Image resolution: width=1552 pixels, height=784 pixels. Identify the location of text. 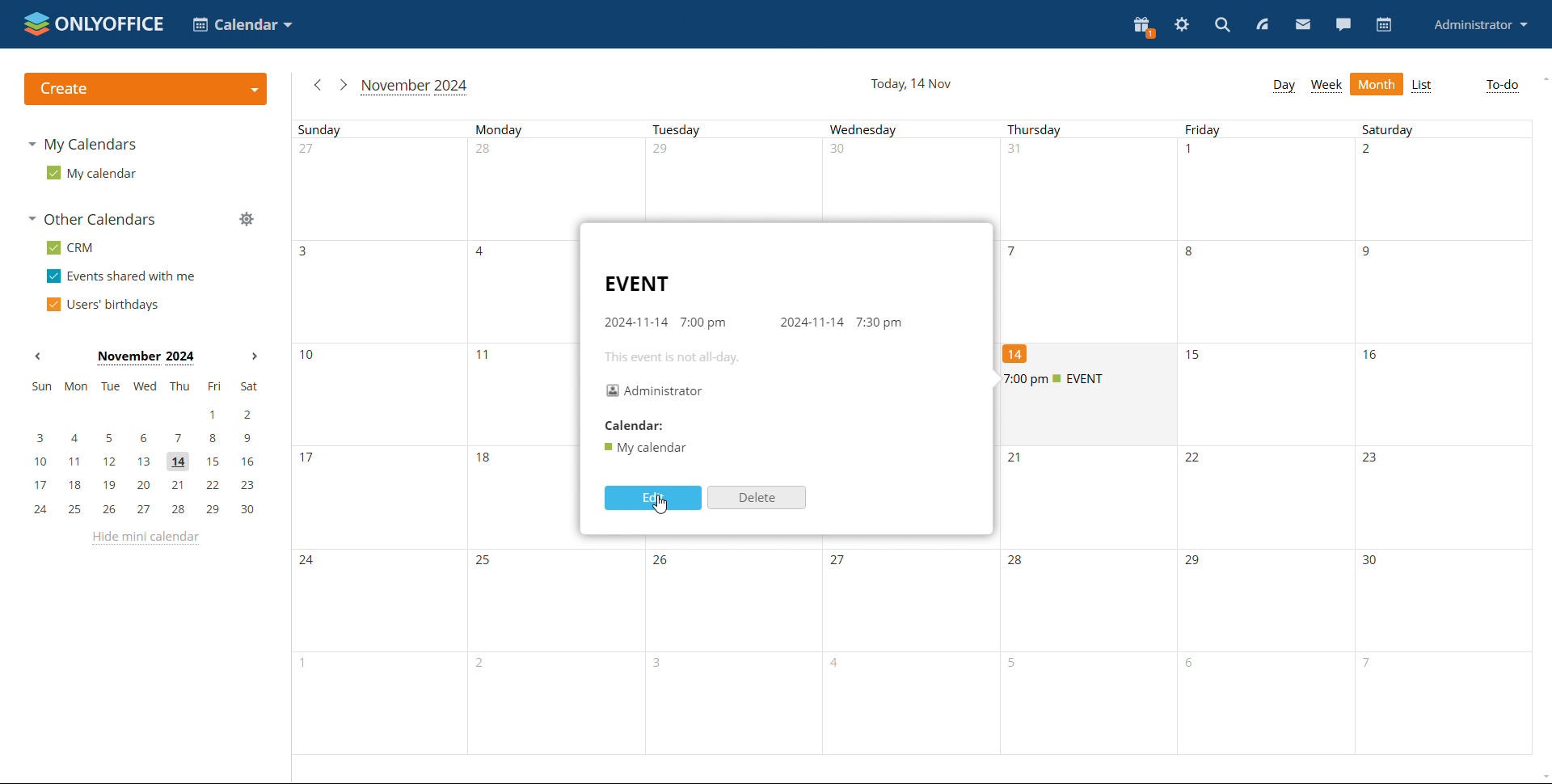
(670, 357).